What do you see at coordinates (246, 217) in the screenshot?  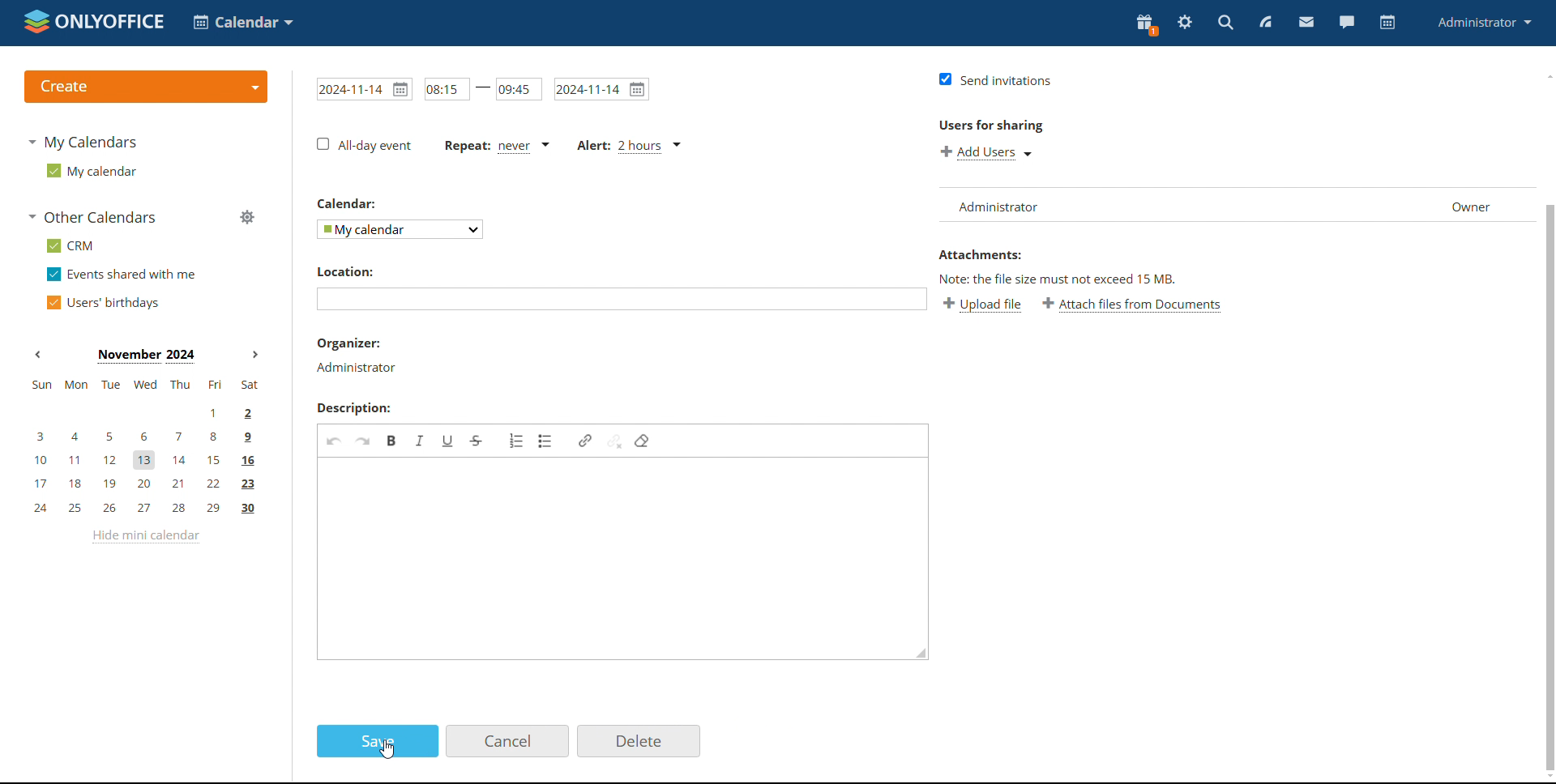 I see `manage` at bounding box center [246, 217].